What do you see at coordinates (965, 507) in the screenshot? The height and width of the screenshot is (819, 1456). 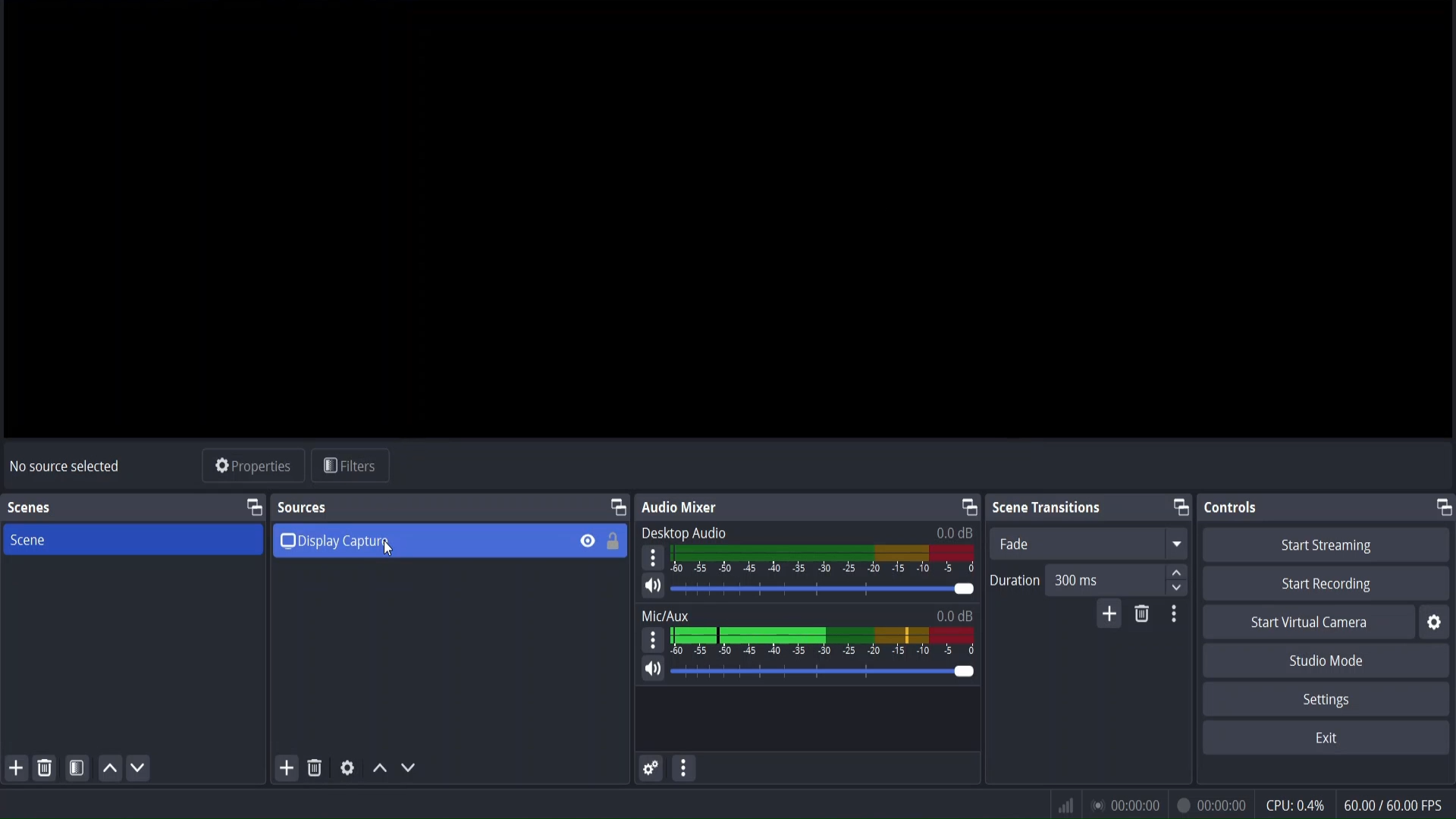 I see `change tab layout` at bounding box center [965, 507].